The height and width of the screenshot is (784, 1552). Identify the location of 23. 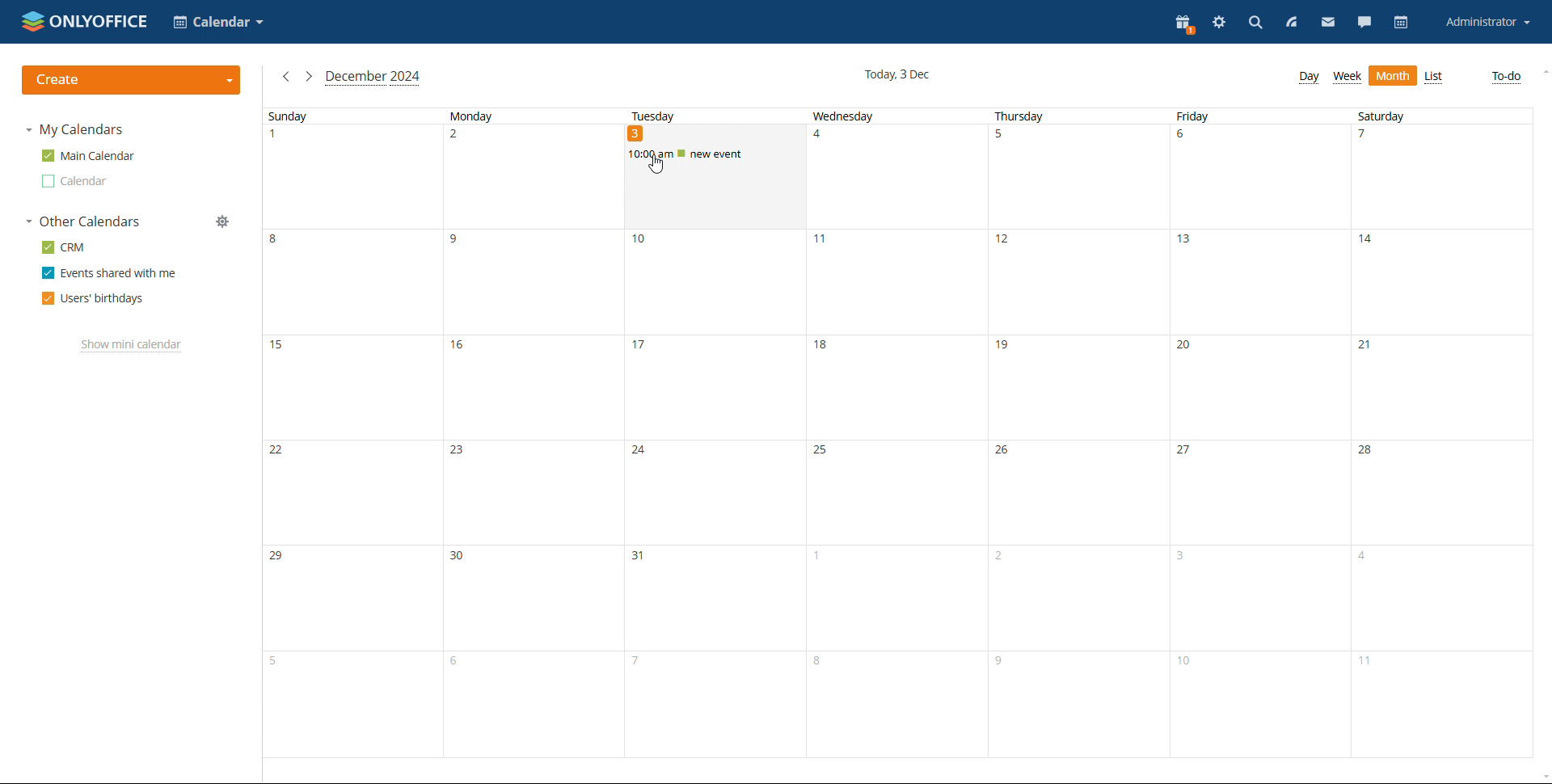
(533, 493).